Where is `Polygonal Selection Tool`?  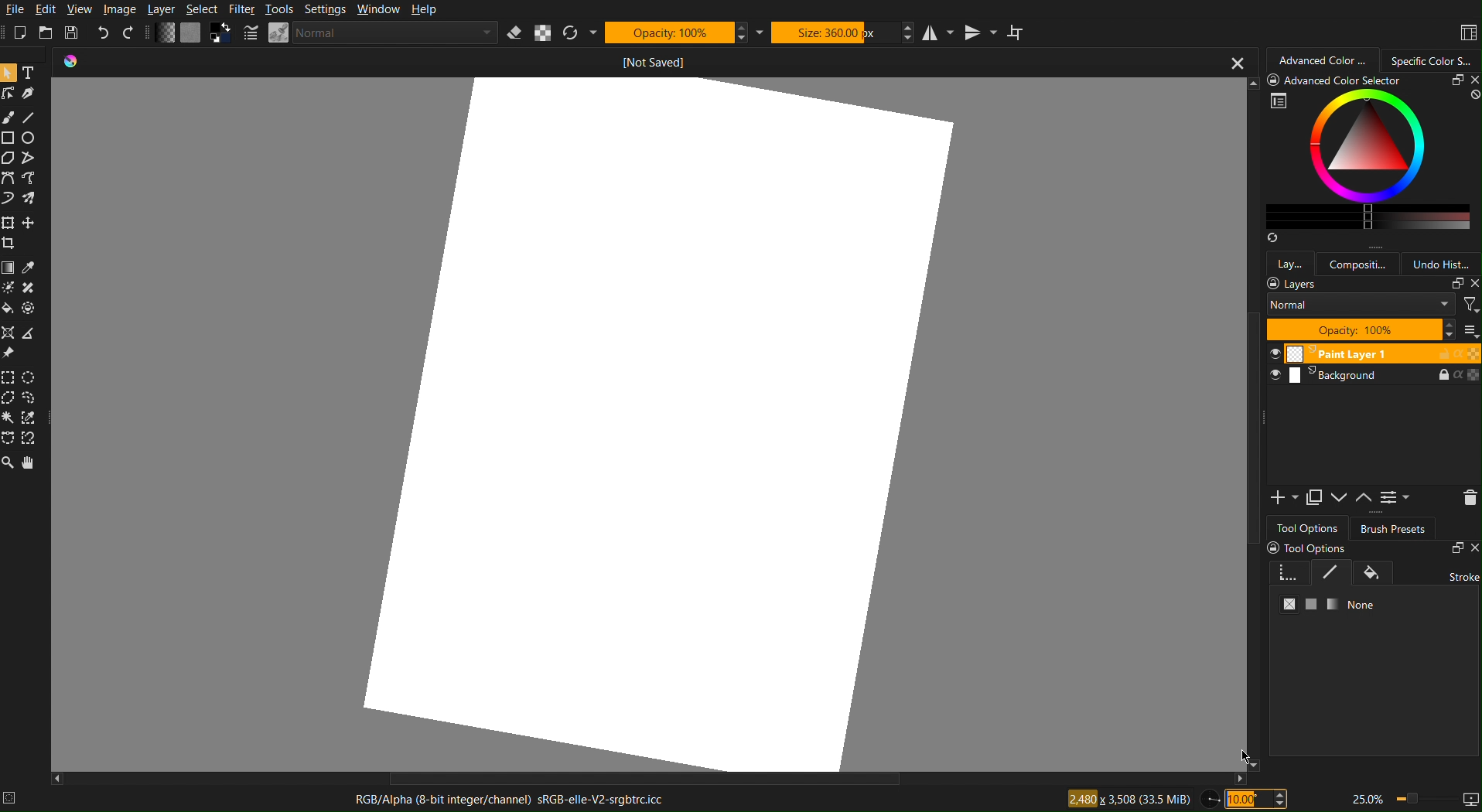
Polygonal Selection Tool is located at coordinates (9, 158).